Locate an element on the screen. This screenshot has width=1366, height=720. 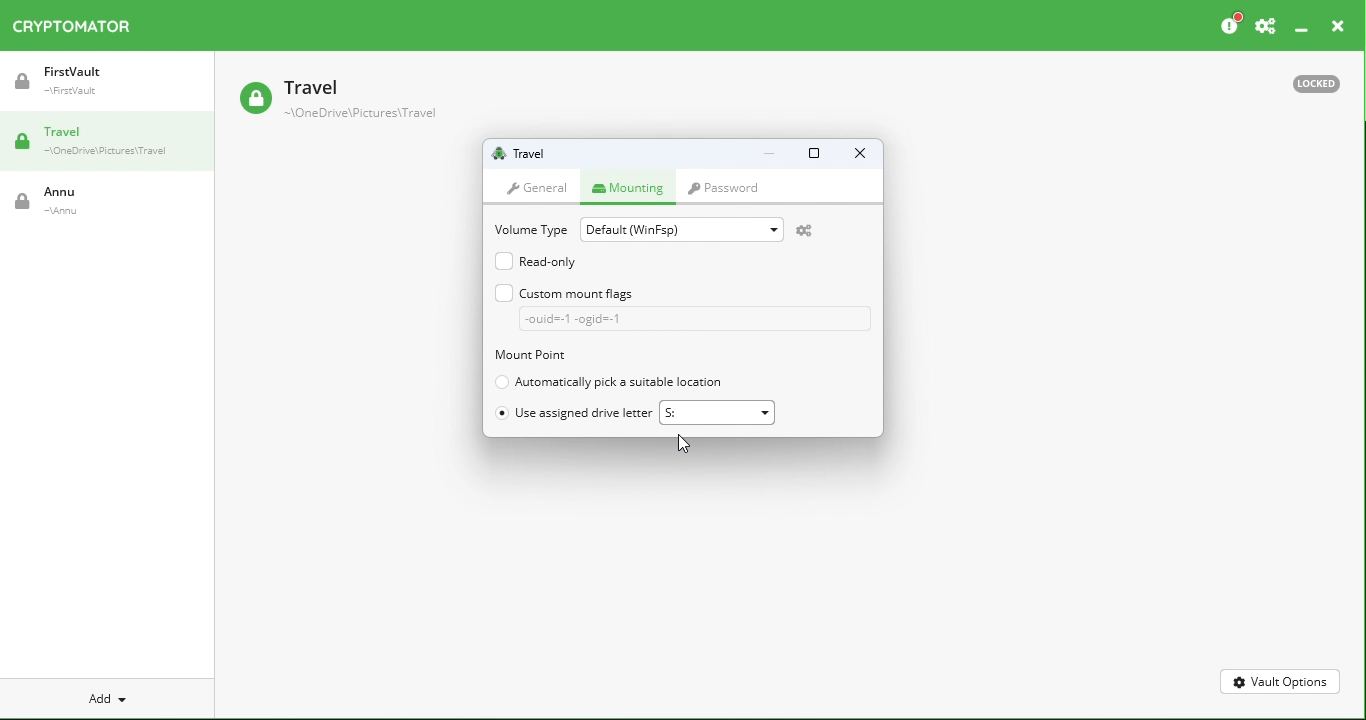
Please consider donating is located at coordinates (1229, 23).